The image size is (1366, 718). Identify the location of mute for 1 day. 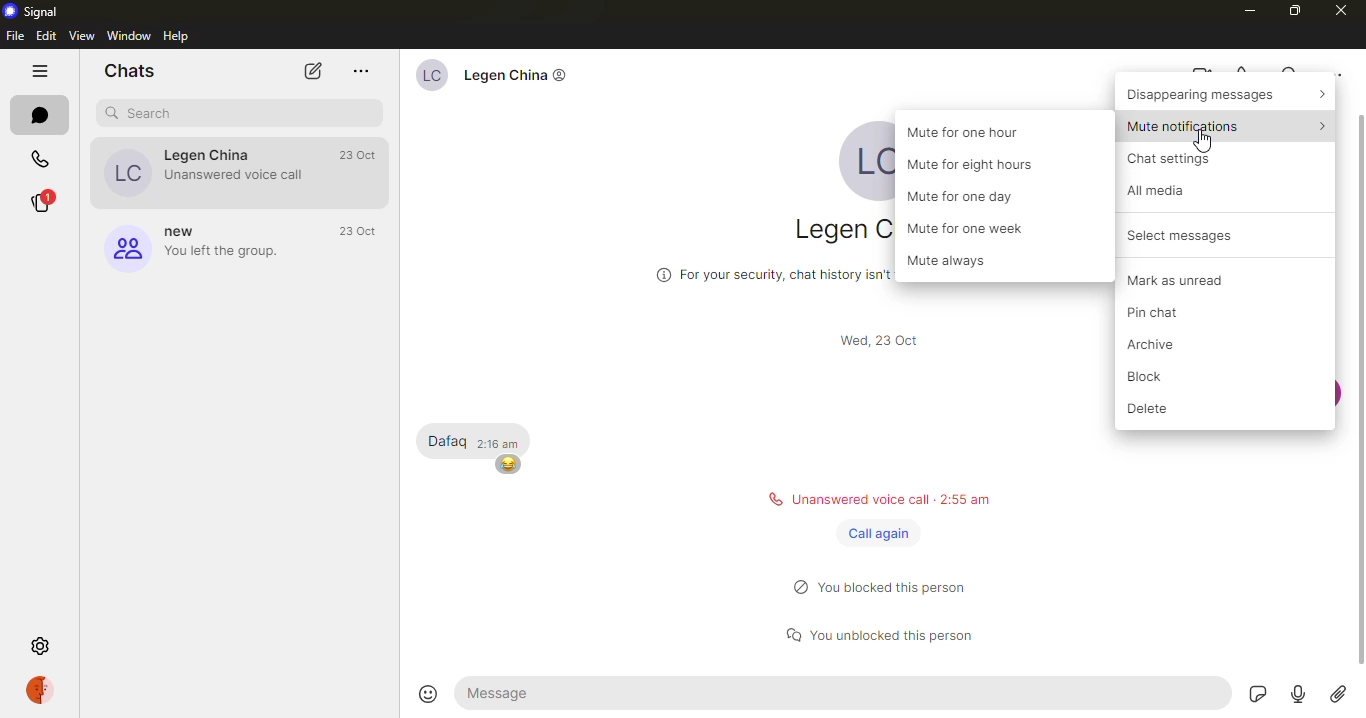
(970, 199).